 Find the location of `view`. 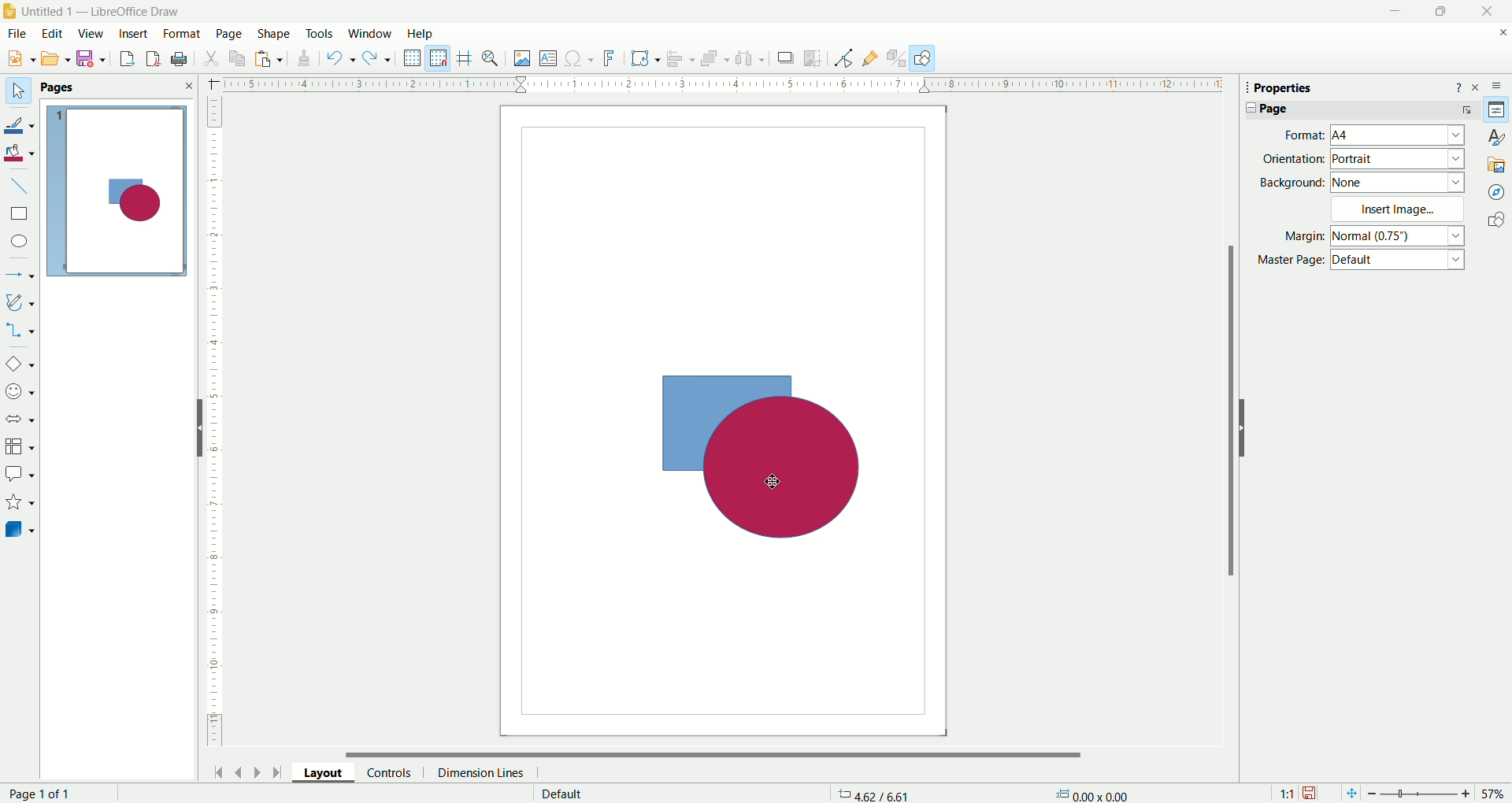

view is located at coordinates (91, 33).